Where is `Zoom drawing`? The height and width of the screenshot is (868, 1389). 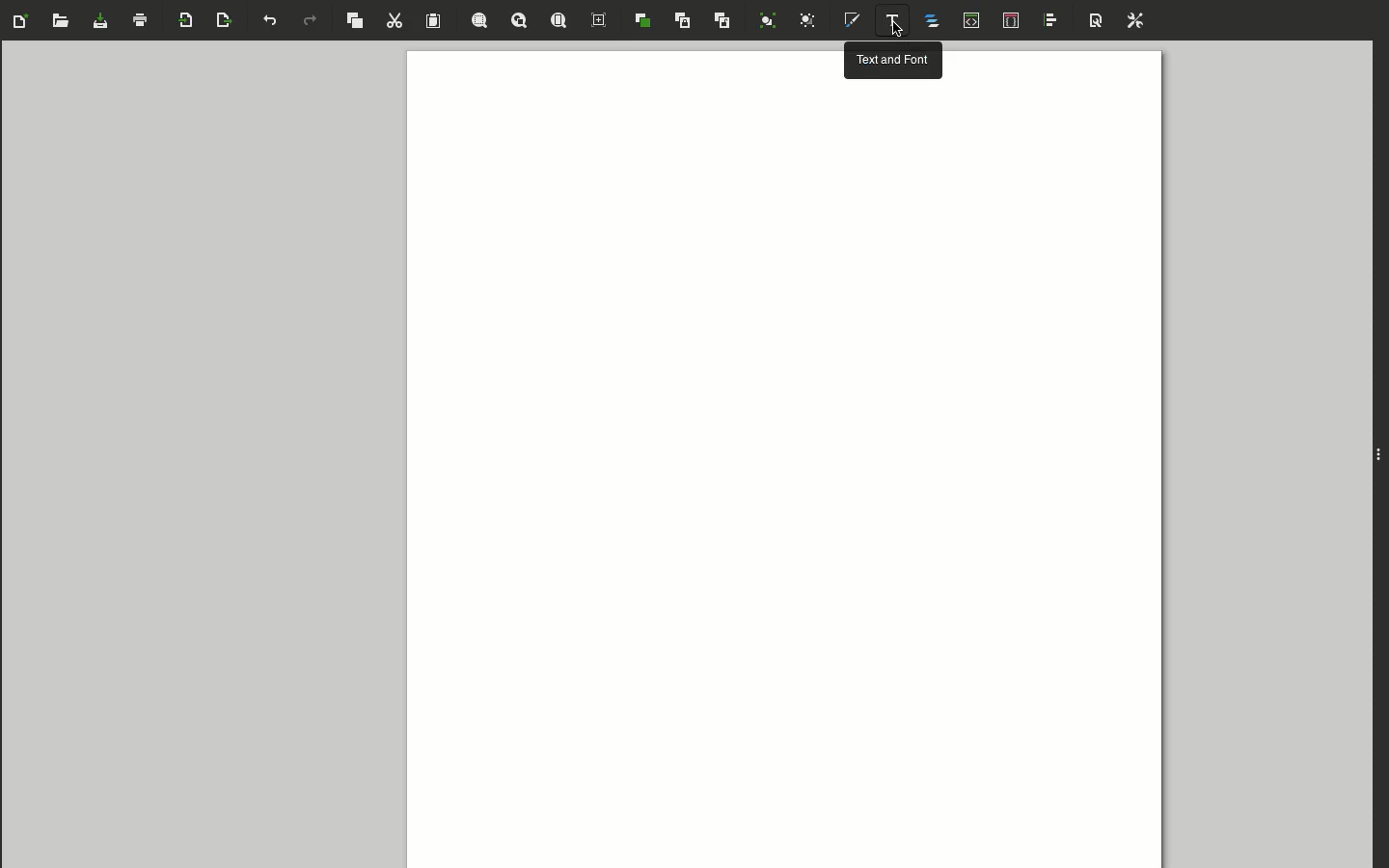
Zoom drawing is located at coordinates (521, 21).